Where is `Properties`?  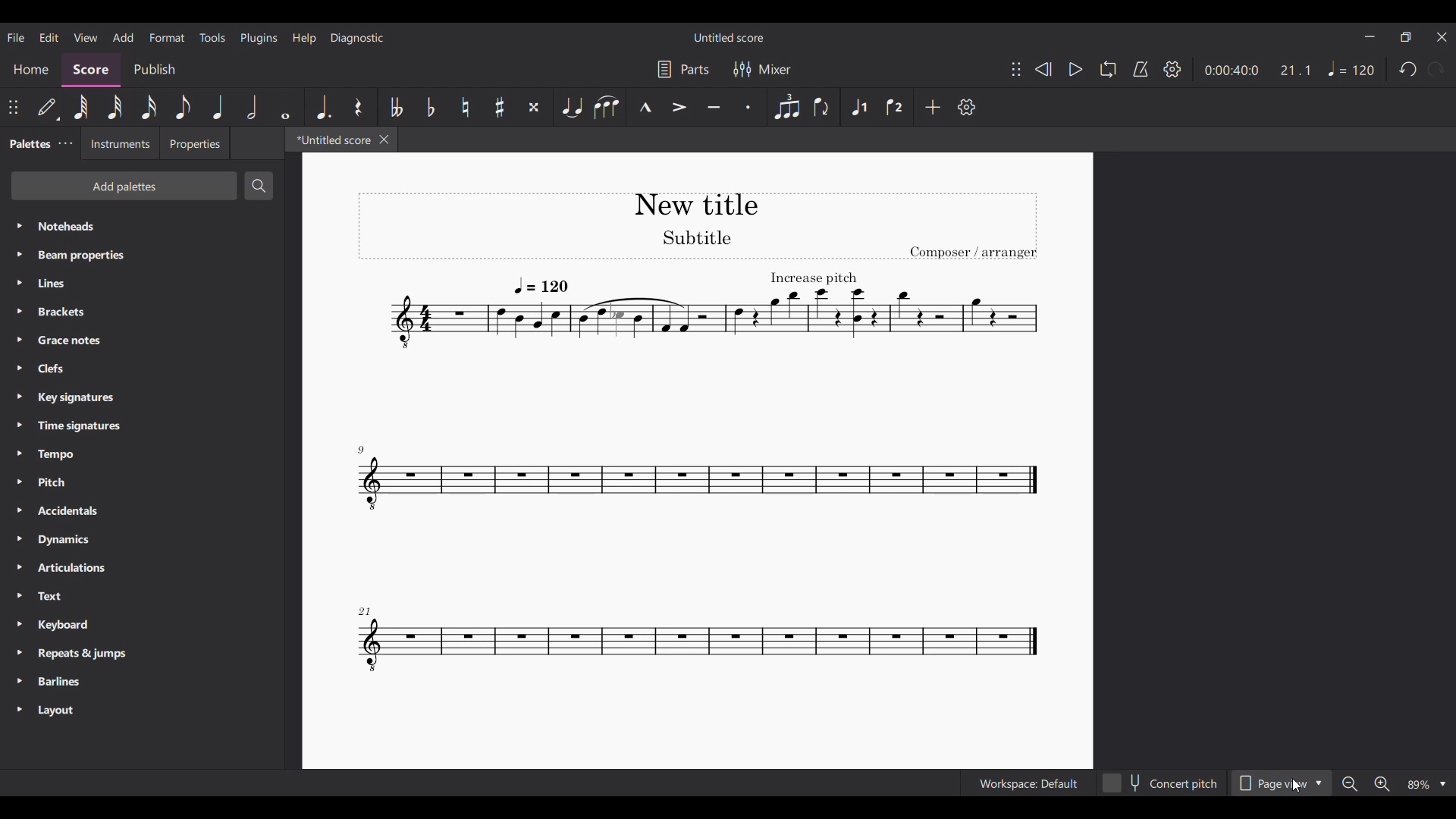 Properties is located at coordinates (195, 143).